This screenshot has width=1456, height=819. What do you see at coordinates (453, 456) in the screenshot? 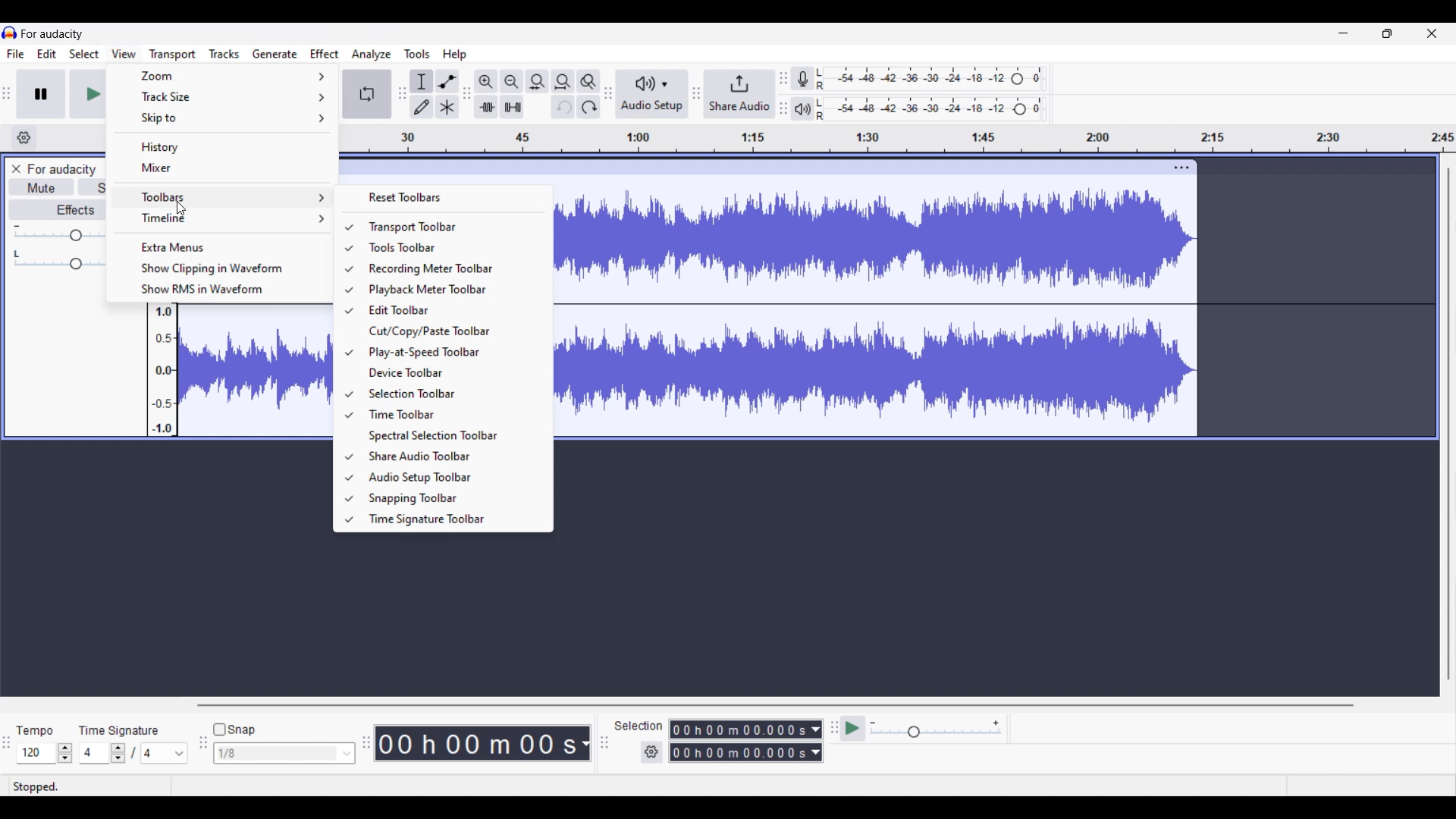
I see `Share audio toolbar` at bounding box center [453, 456].